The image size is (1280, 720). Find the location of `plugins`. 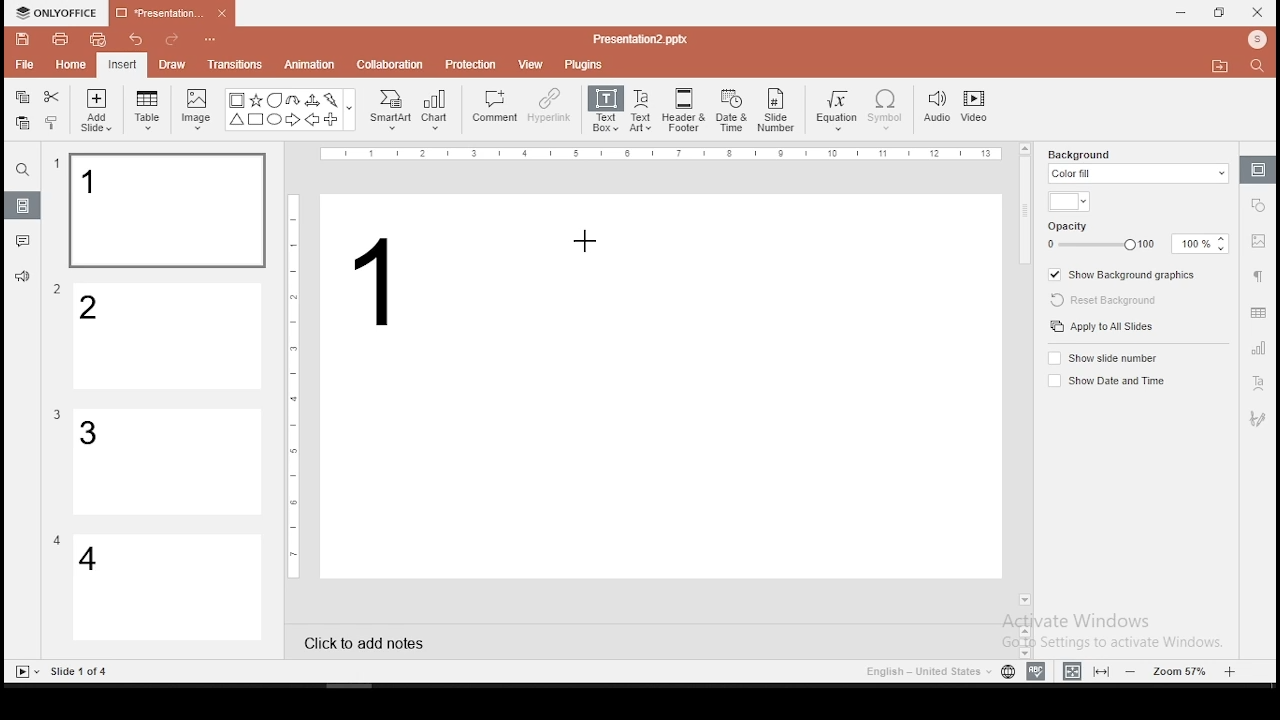

plugins is located at coordinates (585, 61).